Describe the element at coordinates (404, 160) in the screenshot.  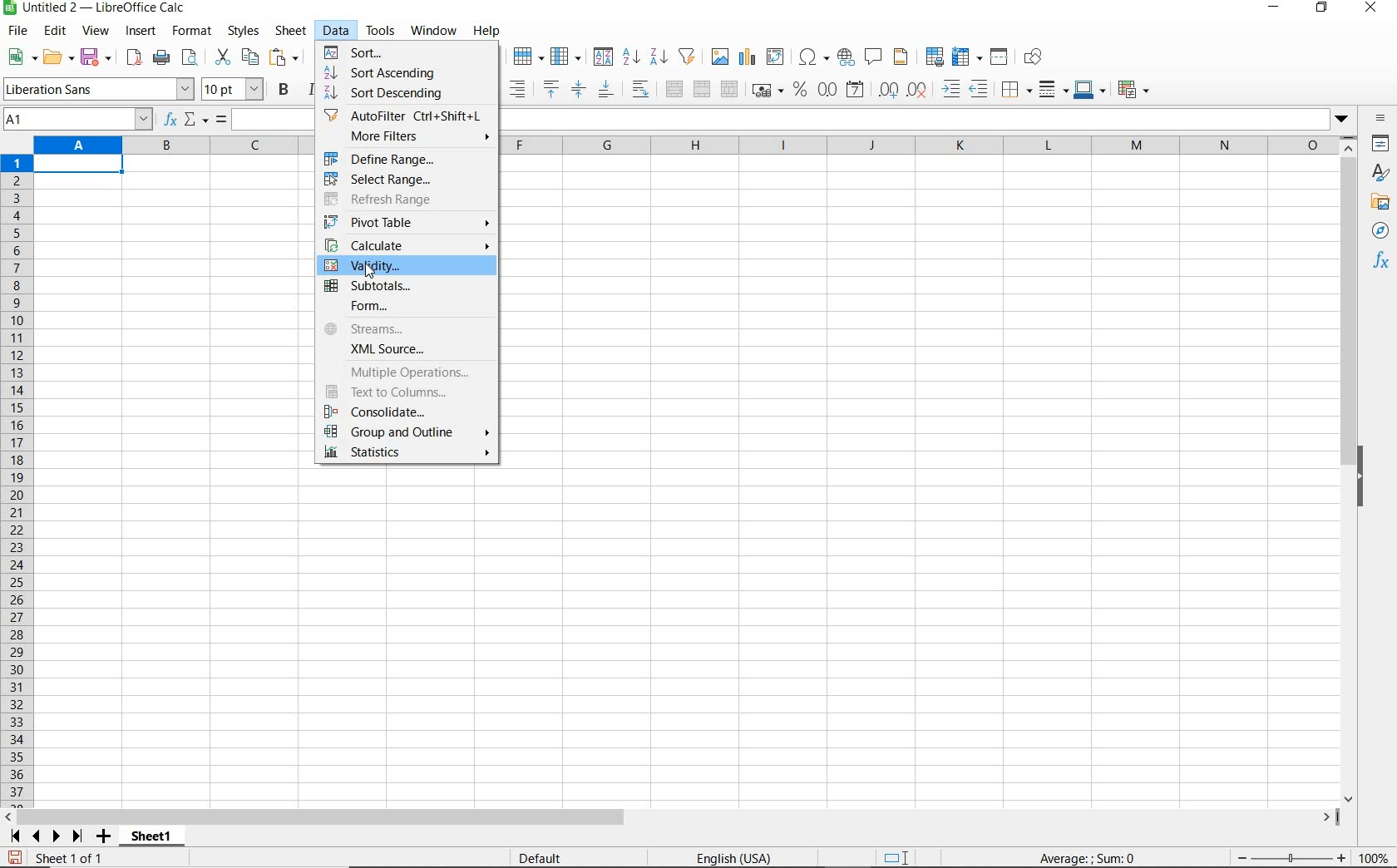
I see `define range` at that location.